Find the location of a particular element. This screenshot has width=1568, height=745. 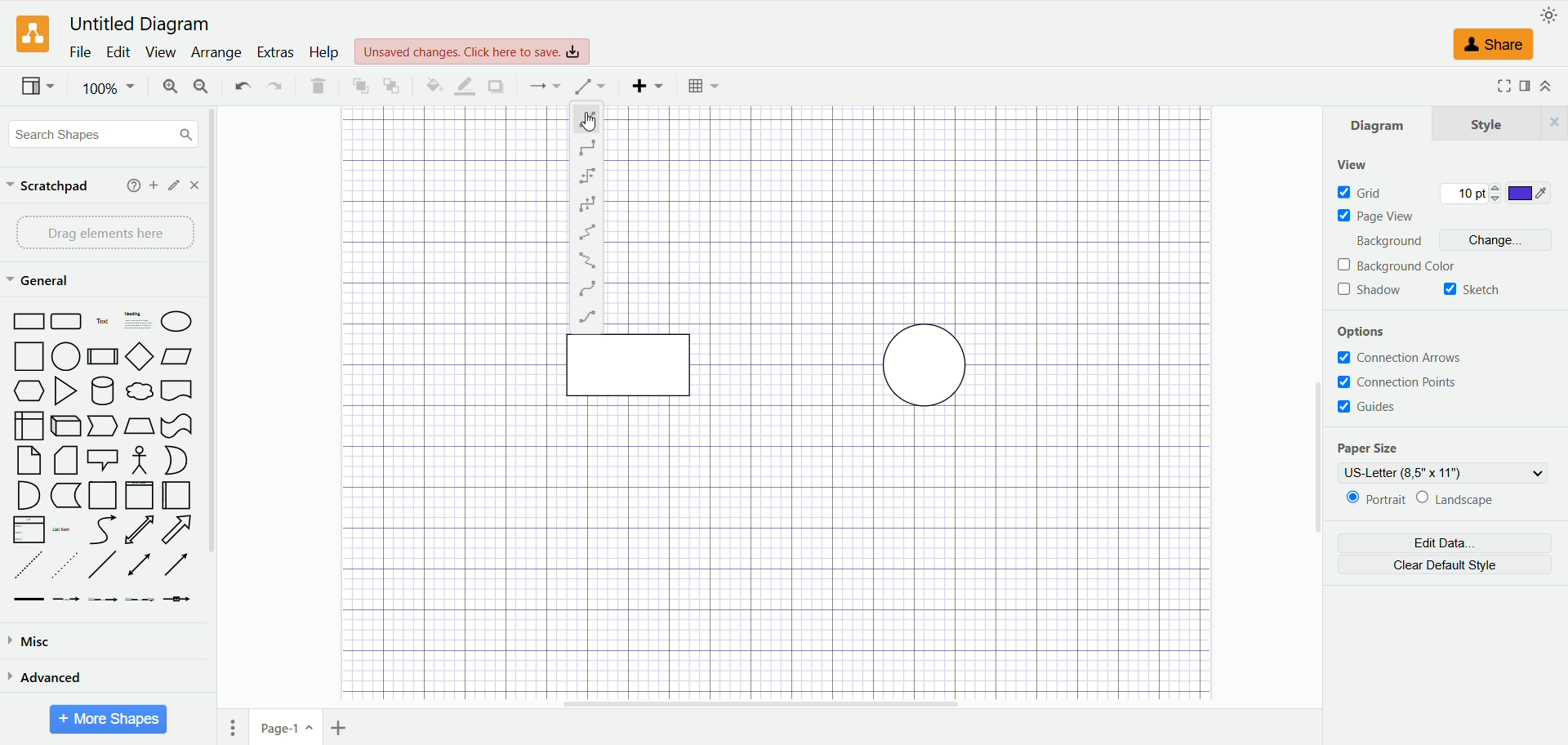

Ellipse is located at coordinates (176, 323).